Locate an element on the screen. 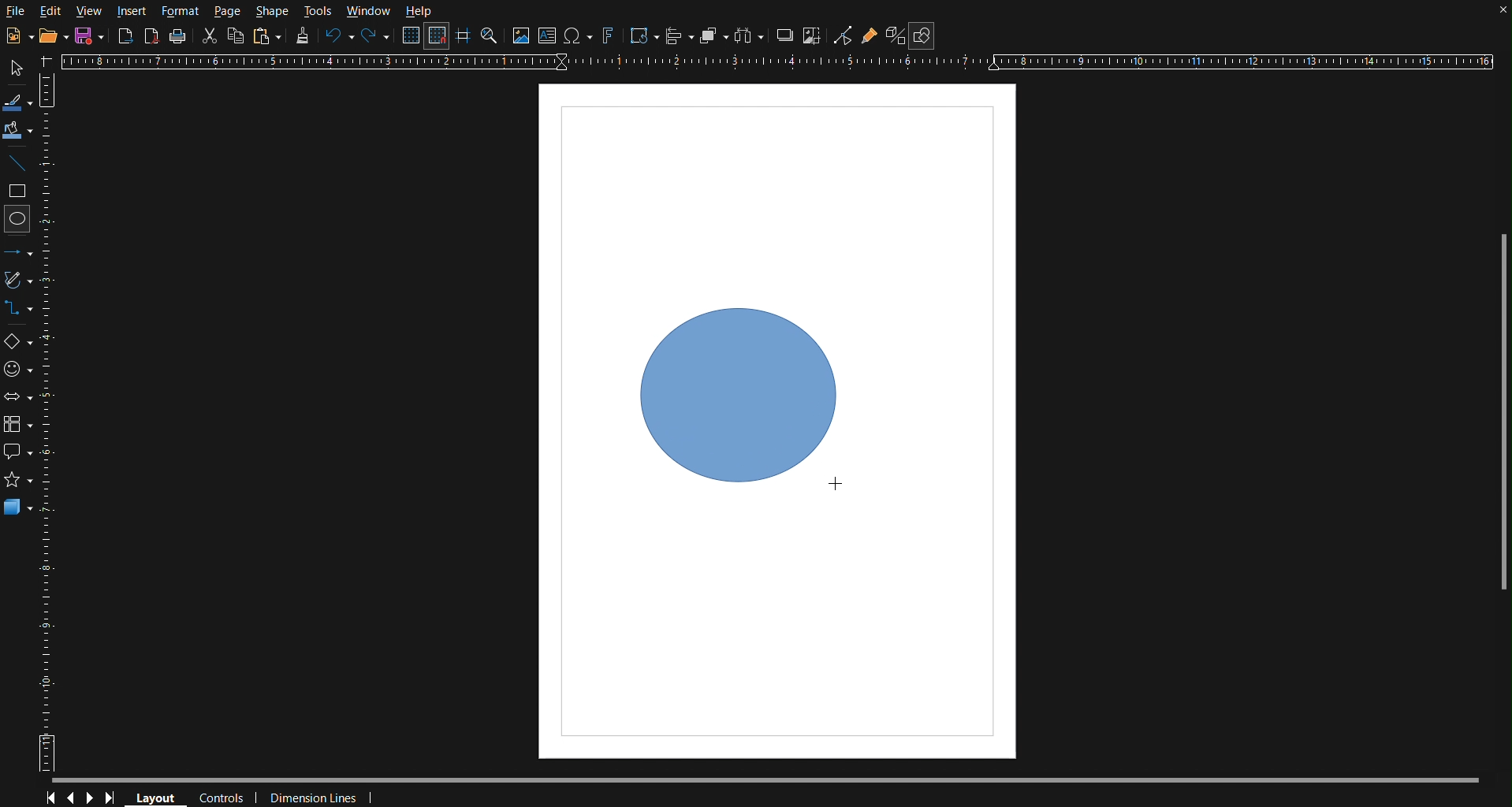  Cursor is located at coordinates (836, 485).